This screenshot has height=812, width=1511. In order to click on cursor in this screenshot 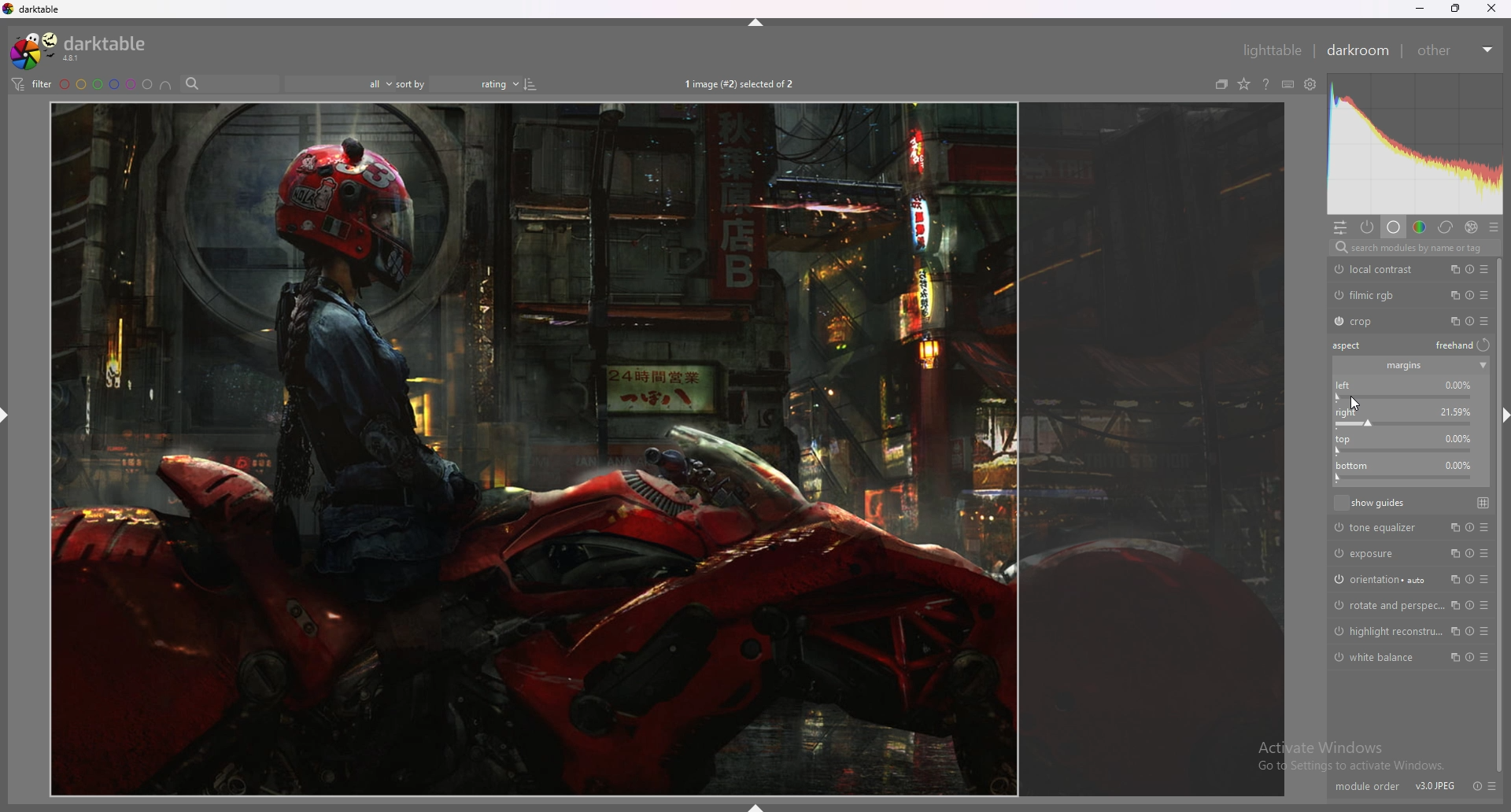, I will do `click(1352, 402)`.